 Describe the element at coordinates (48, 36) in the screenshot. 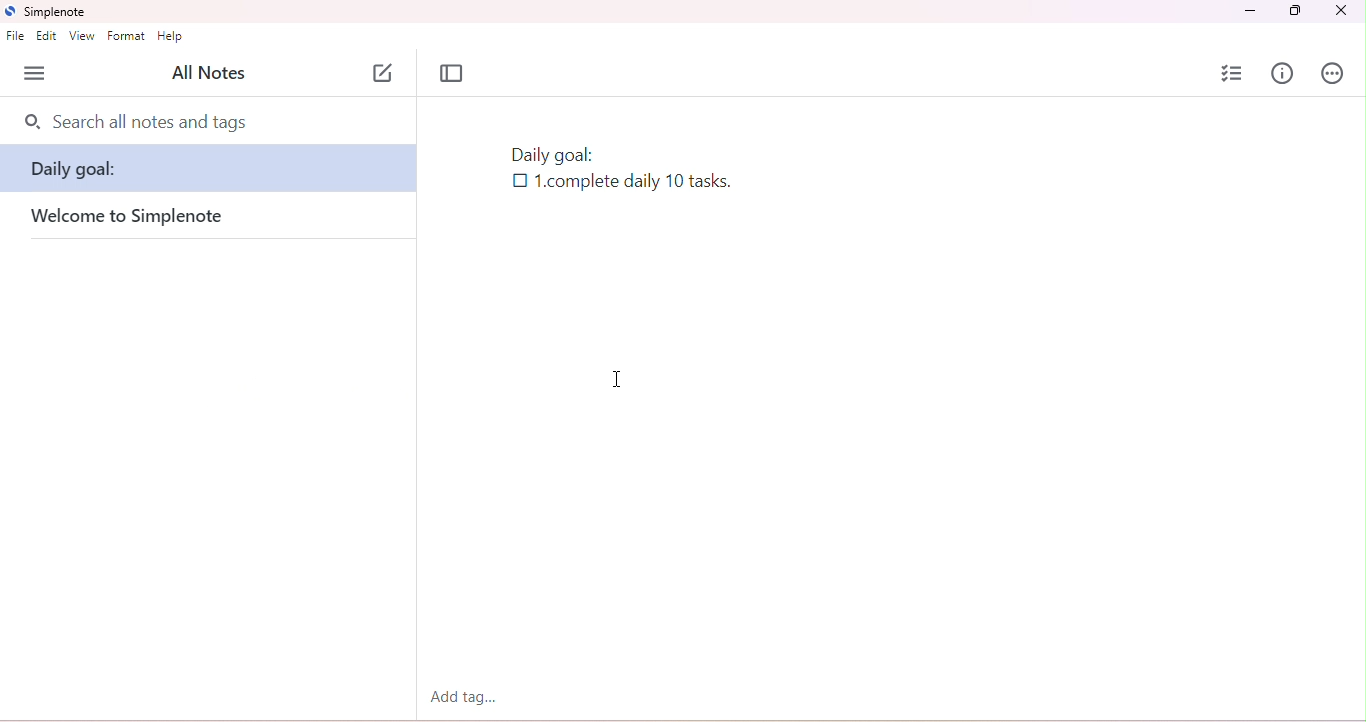

I see `edit` at that location.